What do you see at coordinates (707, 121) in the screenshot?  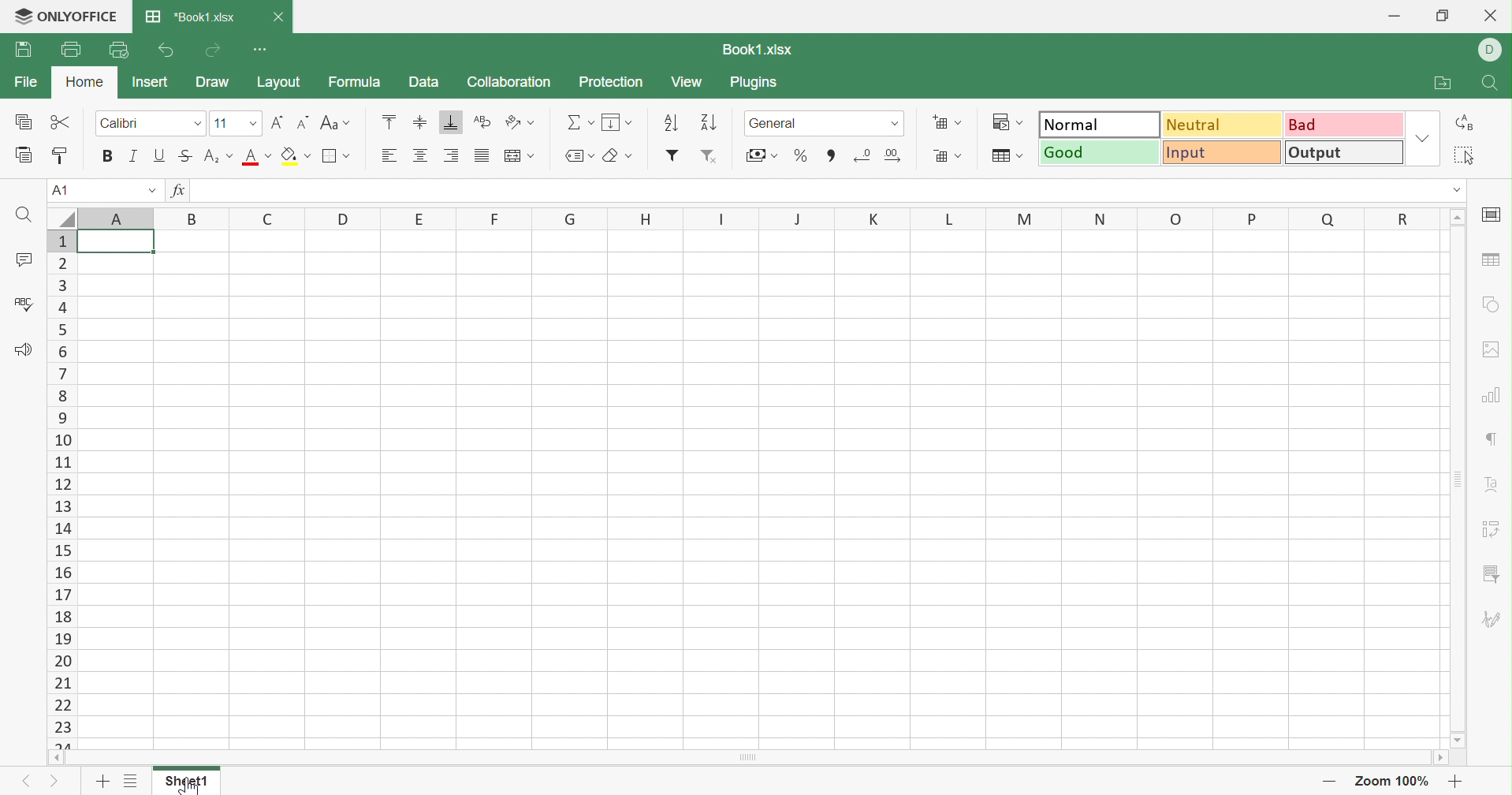 I see `Descending order` at bounding box center [707, 121].